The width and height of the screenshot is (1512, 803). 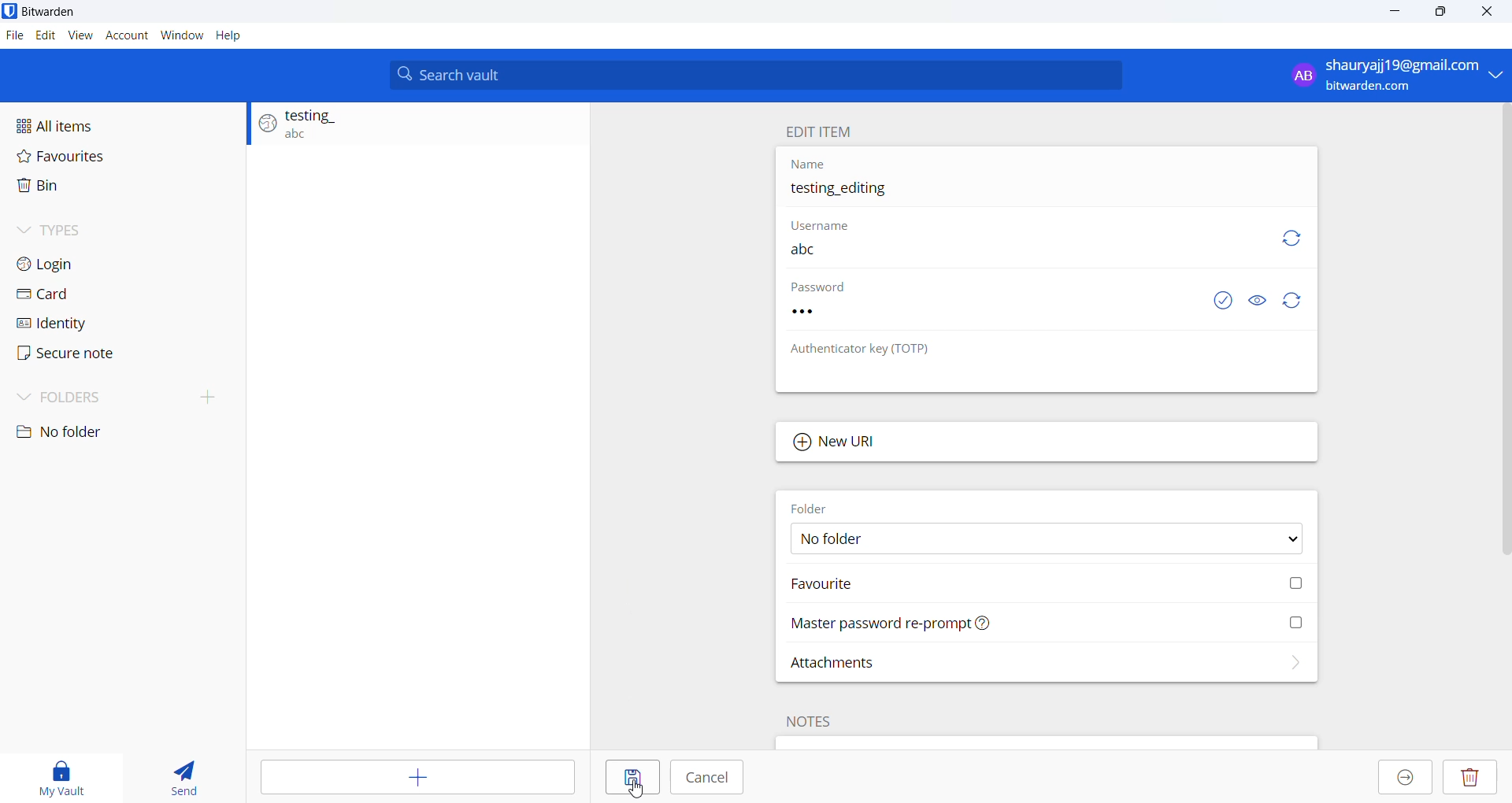 I want to click on view, so click(x=80, y=34).